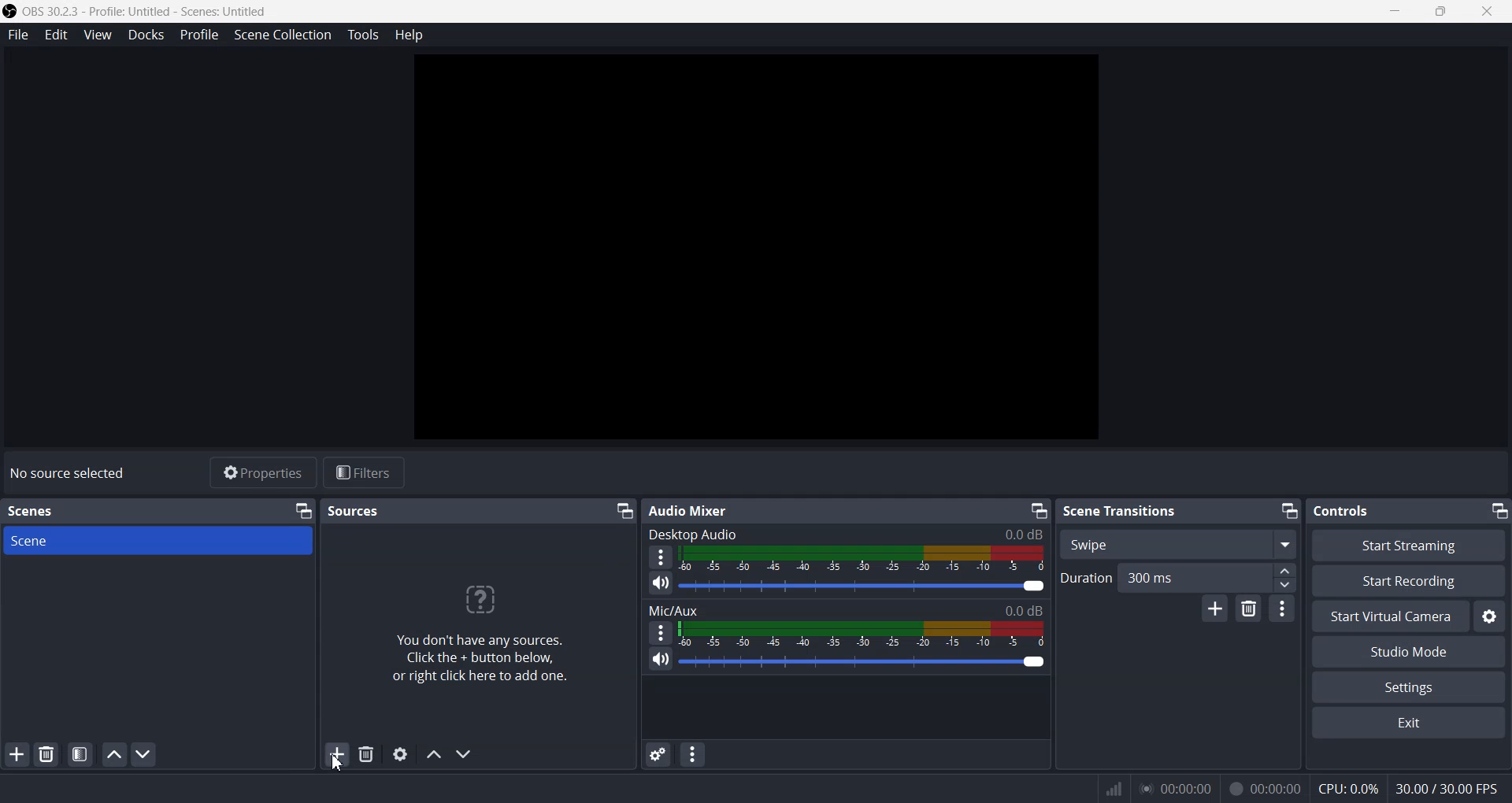 Image resolution: width=1512 pixels, height=803 pixels. I want to click on Minimize, so click(1499, 510).